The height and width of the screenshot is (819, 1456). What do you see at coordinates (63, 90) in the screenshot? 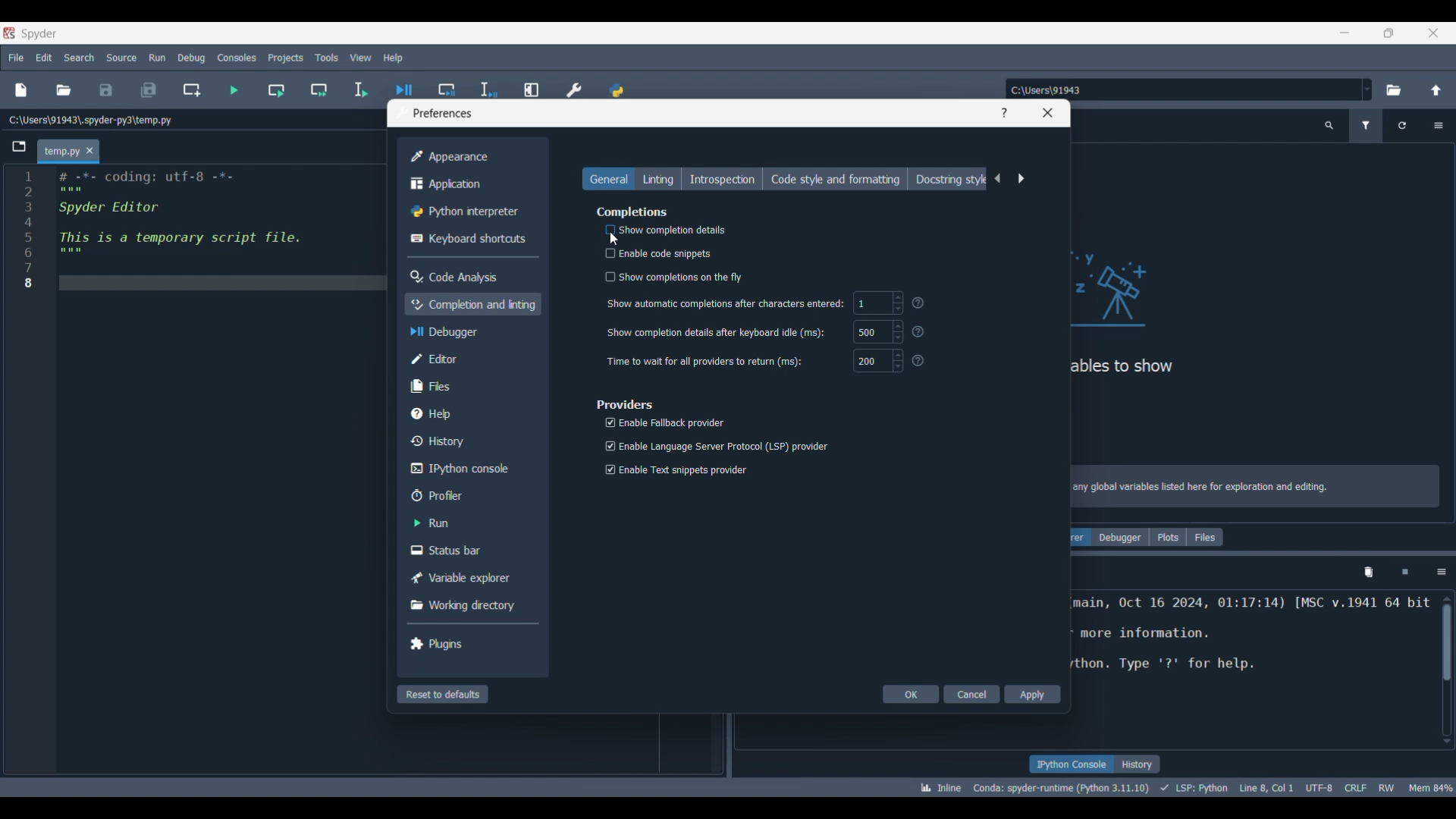
I see `Open file` at bounding box center [63, 90].